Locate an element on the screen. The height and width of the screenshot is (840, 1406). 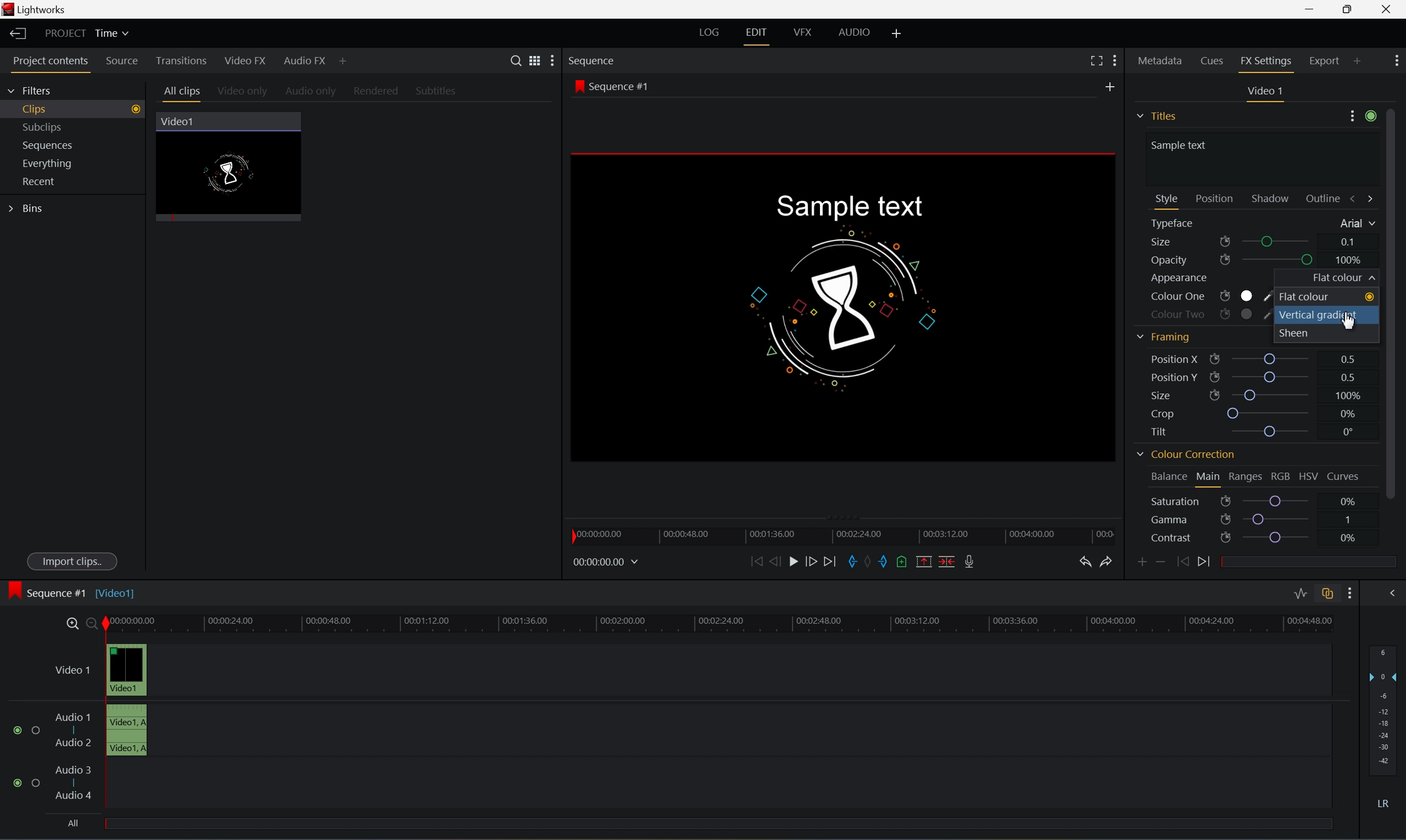
edit is located at coordinates (756, 32).